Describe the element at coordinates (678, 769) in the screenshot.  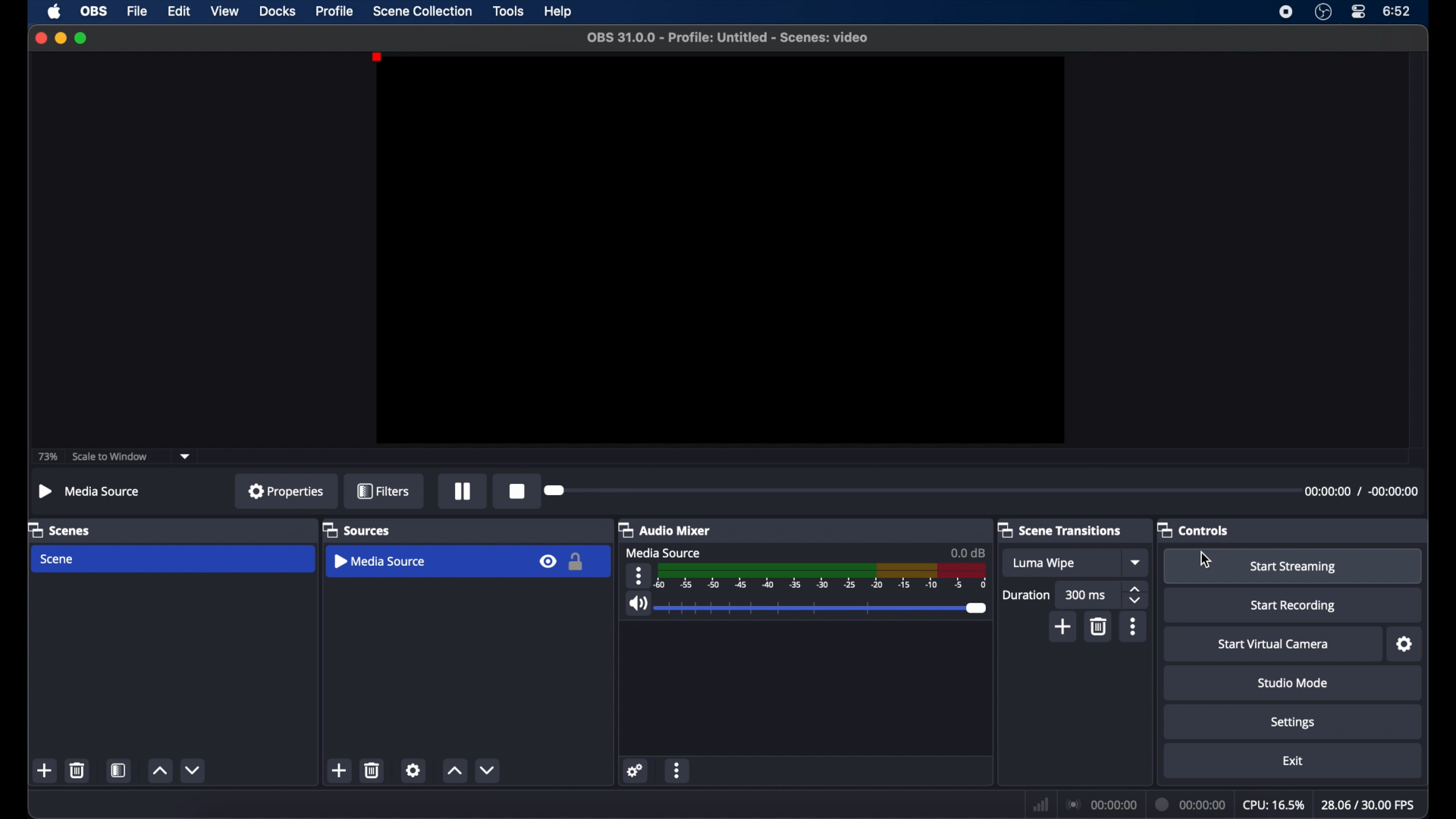
I see `more options` at that location.